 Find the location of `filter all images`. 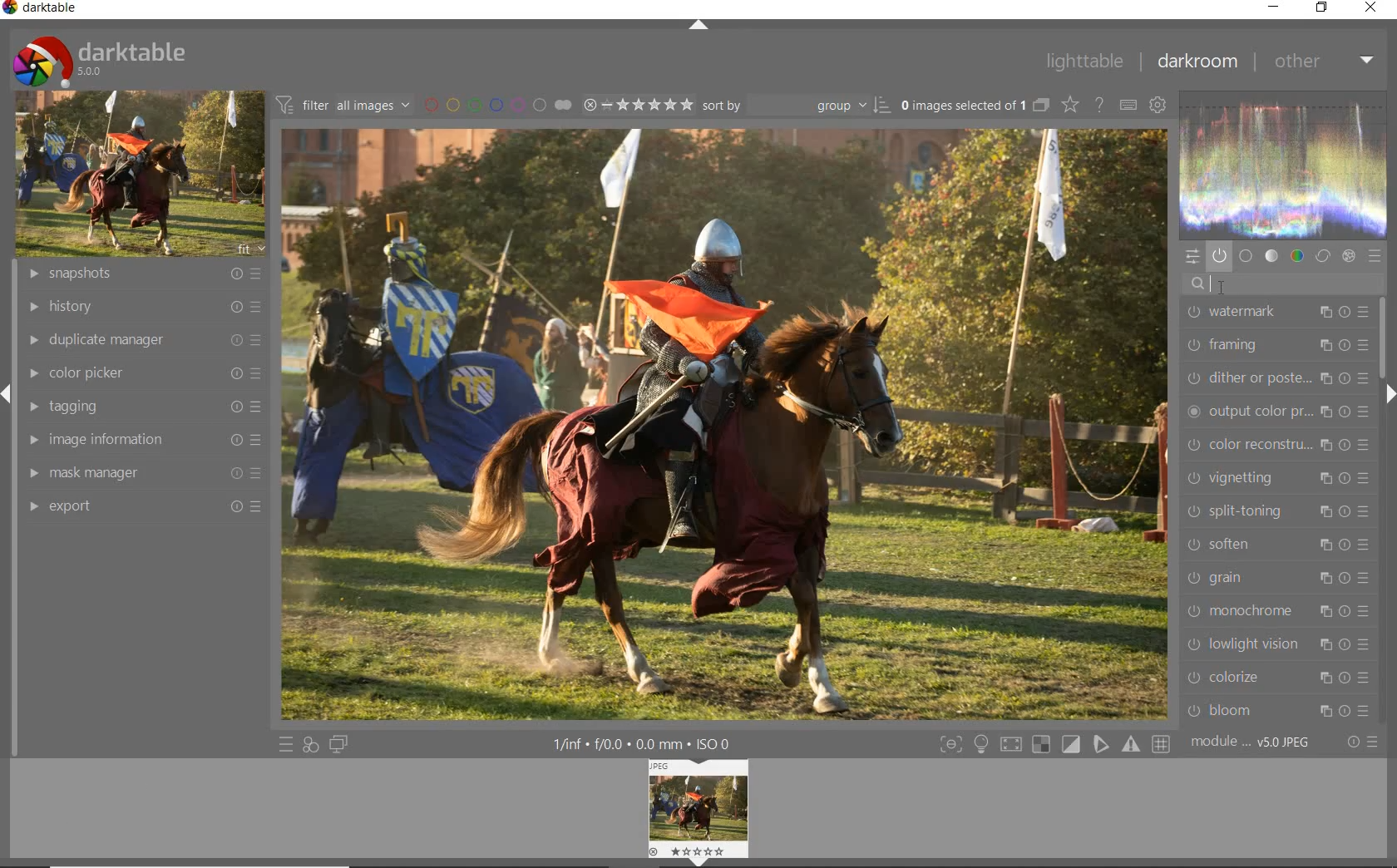

filter all images is located at coordinates (343, 105).